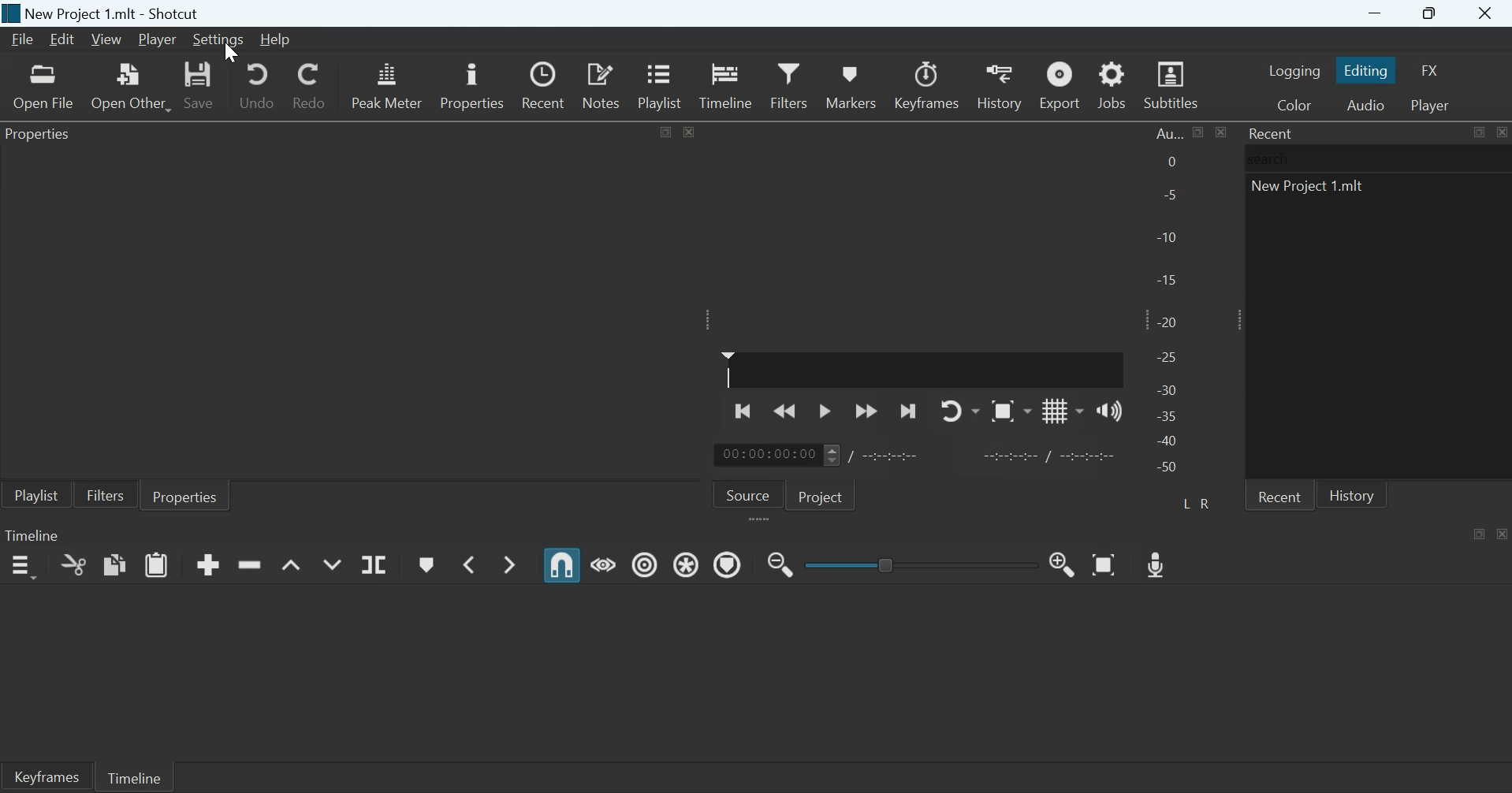 The width and height of the screenshot is (1512, 793). What do you see at coordinates (788, 84) in the screenshot?
I see `Filters` at bounding box center [788, 84].